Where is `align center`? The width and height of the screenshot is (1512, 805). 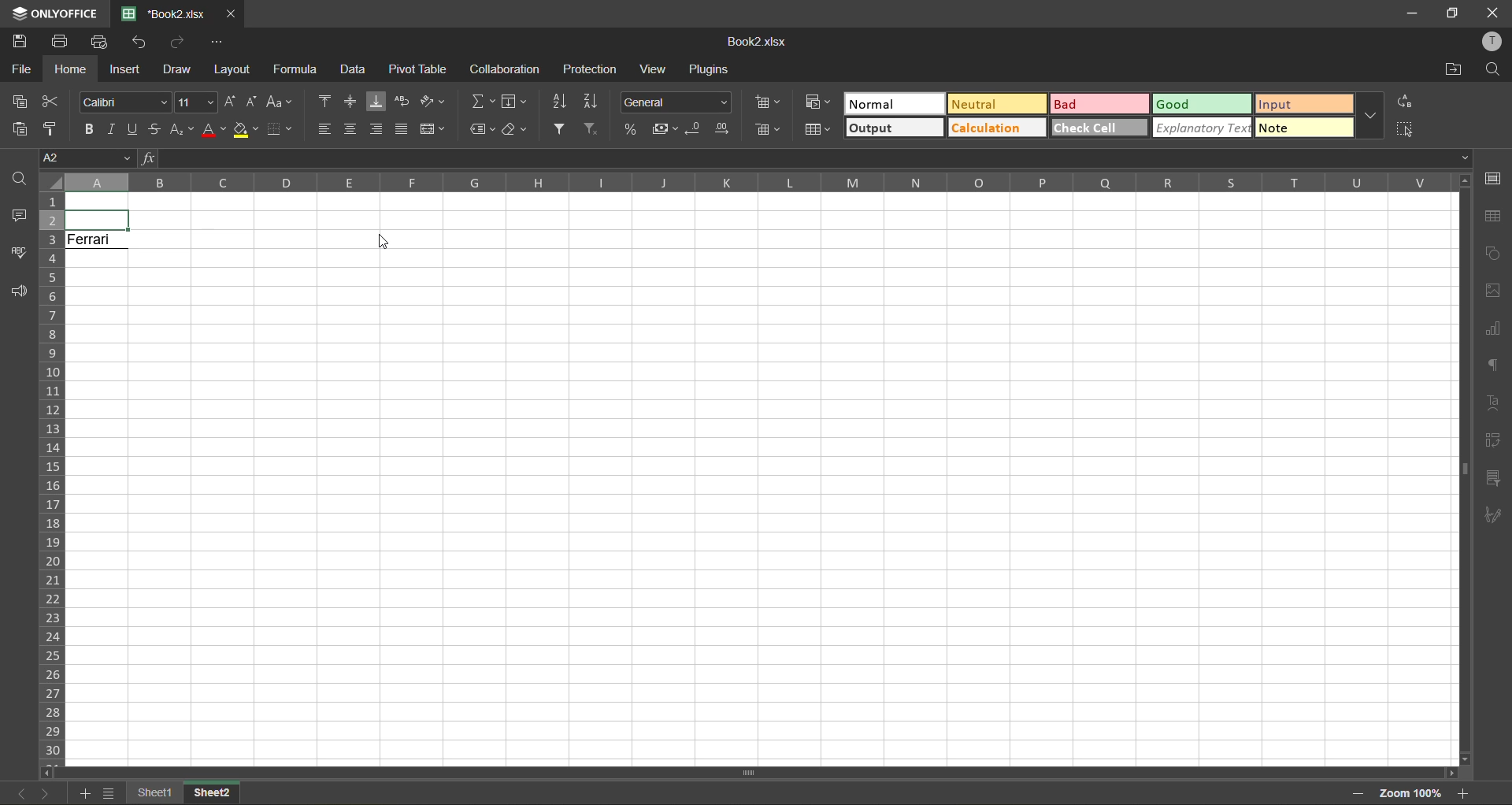 align center is located at coordinates (351, 129).